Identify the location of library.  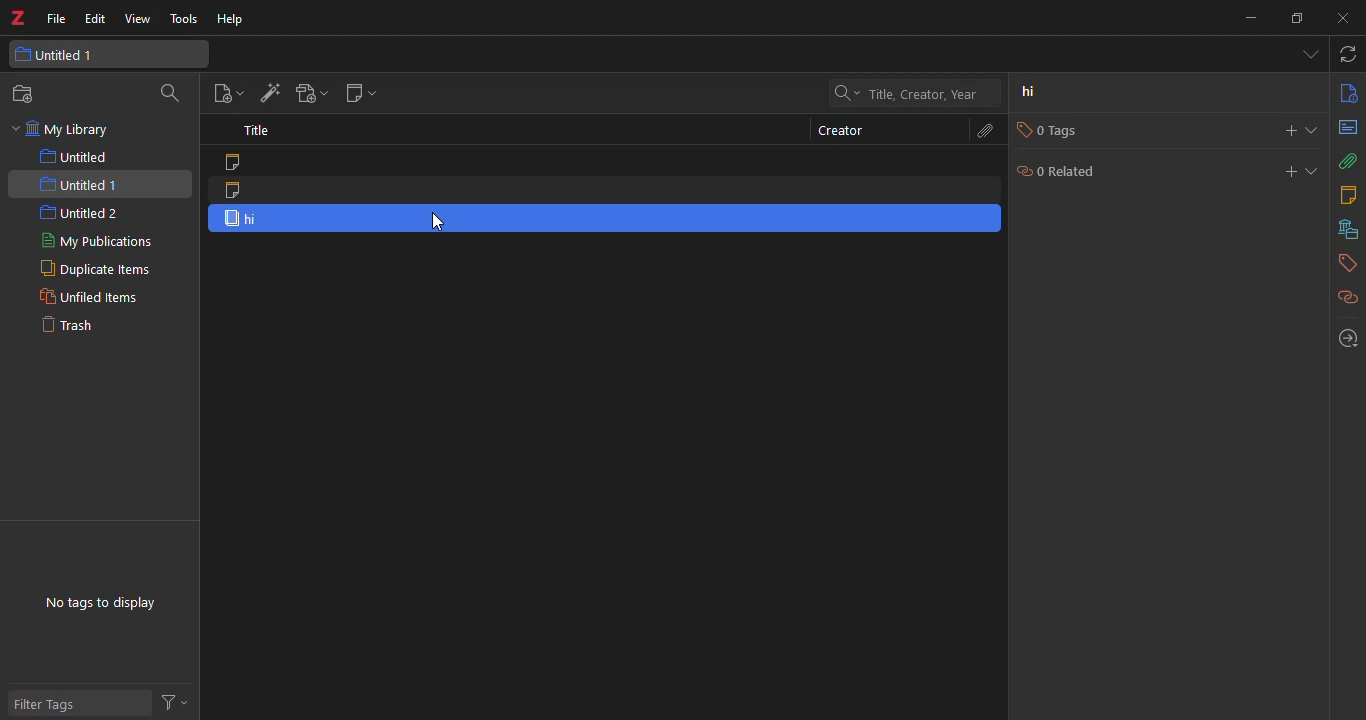
(1346, 229).